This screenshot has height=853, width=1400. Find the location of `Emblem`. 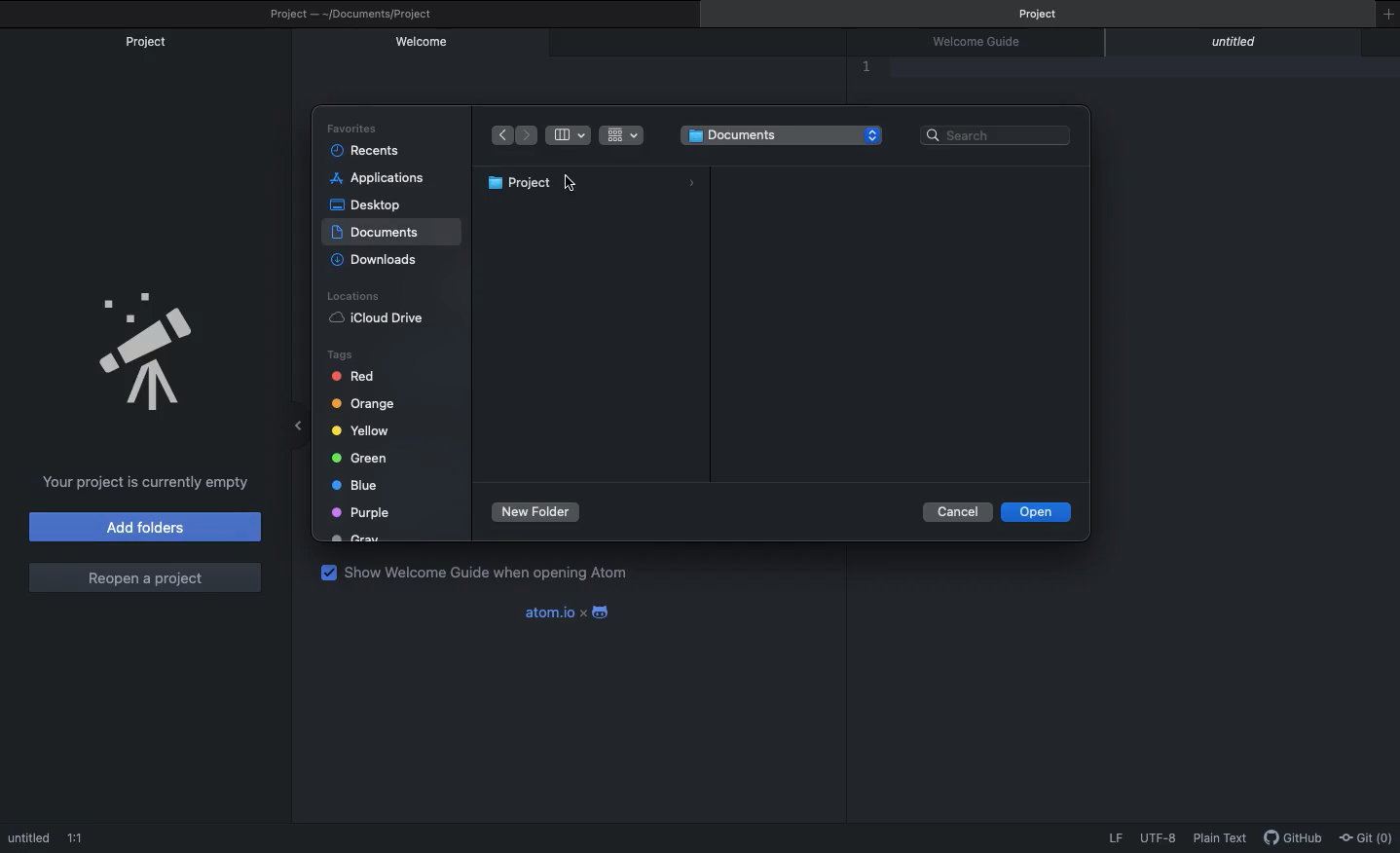

Emblem is located at coordinates (158, 343).